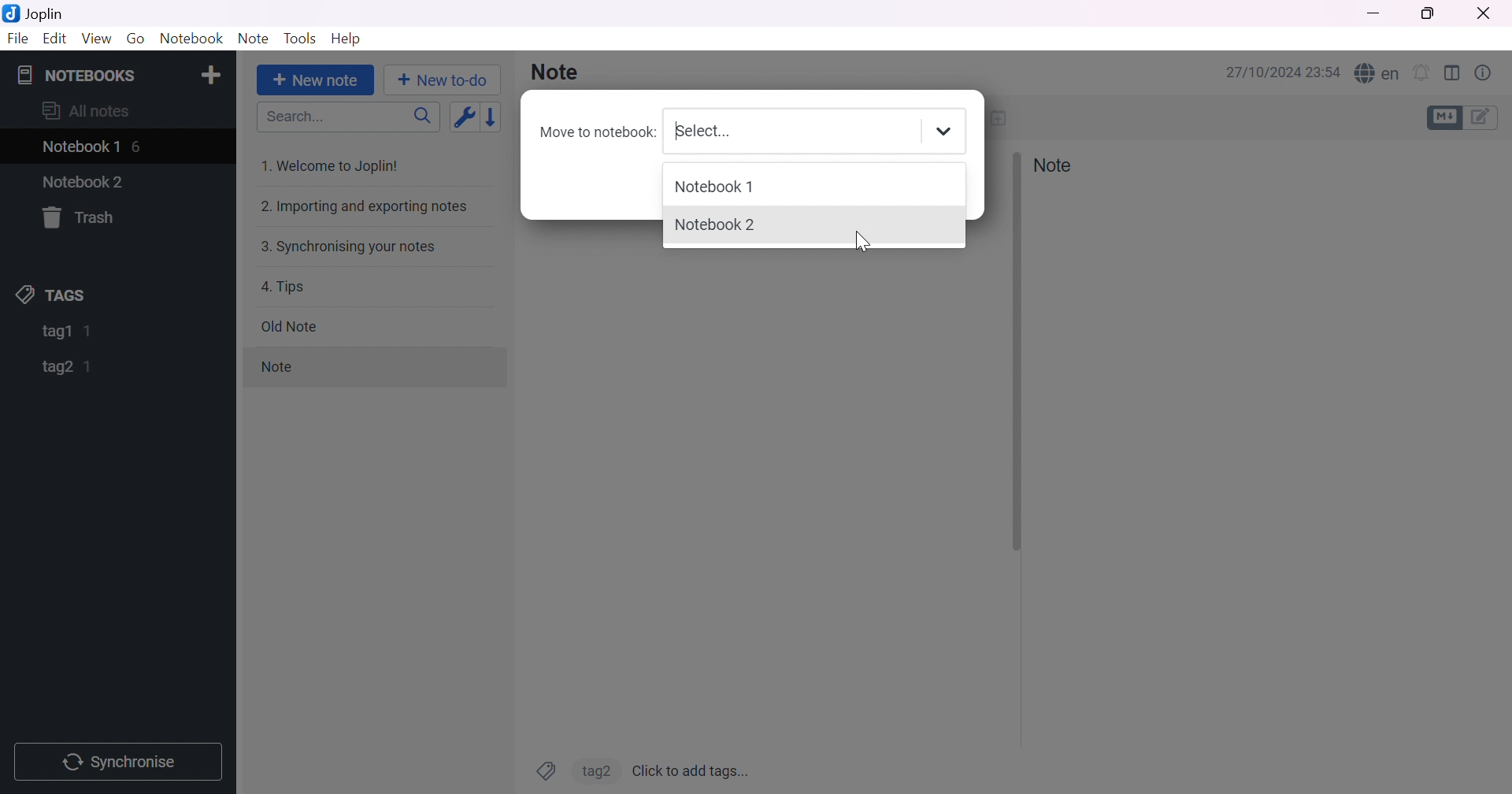  What do you see at coordinates (136, 42) in the screenshot?
I see `Go` at bounding box center [136, 42].